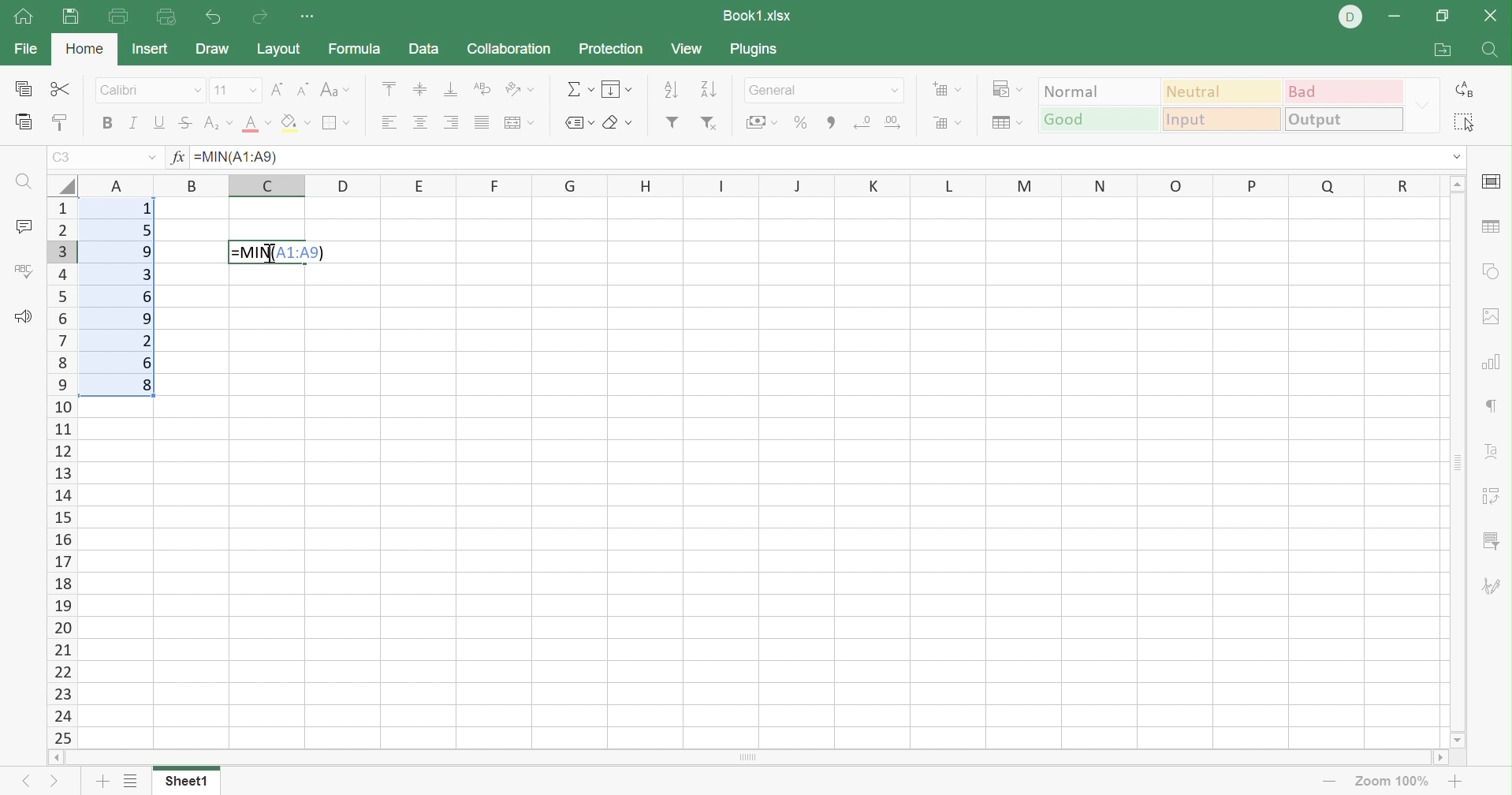 The width and height of the screenshot is (1512, 795). What do you see at coordinates (1221, 91) in the screenshot?
I see `Neutral` at bounding box center [1221, 91].